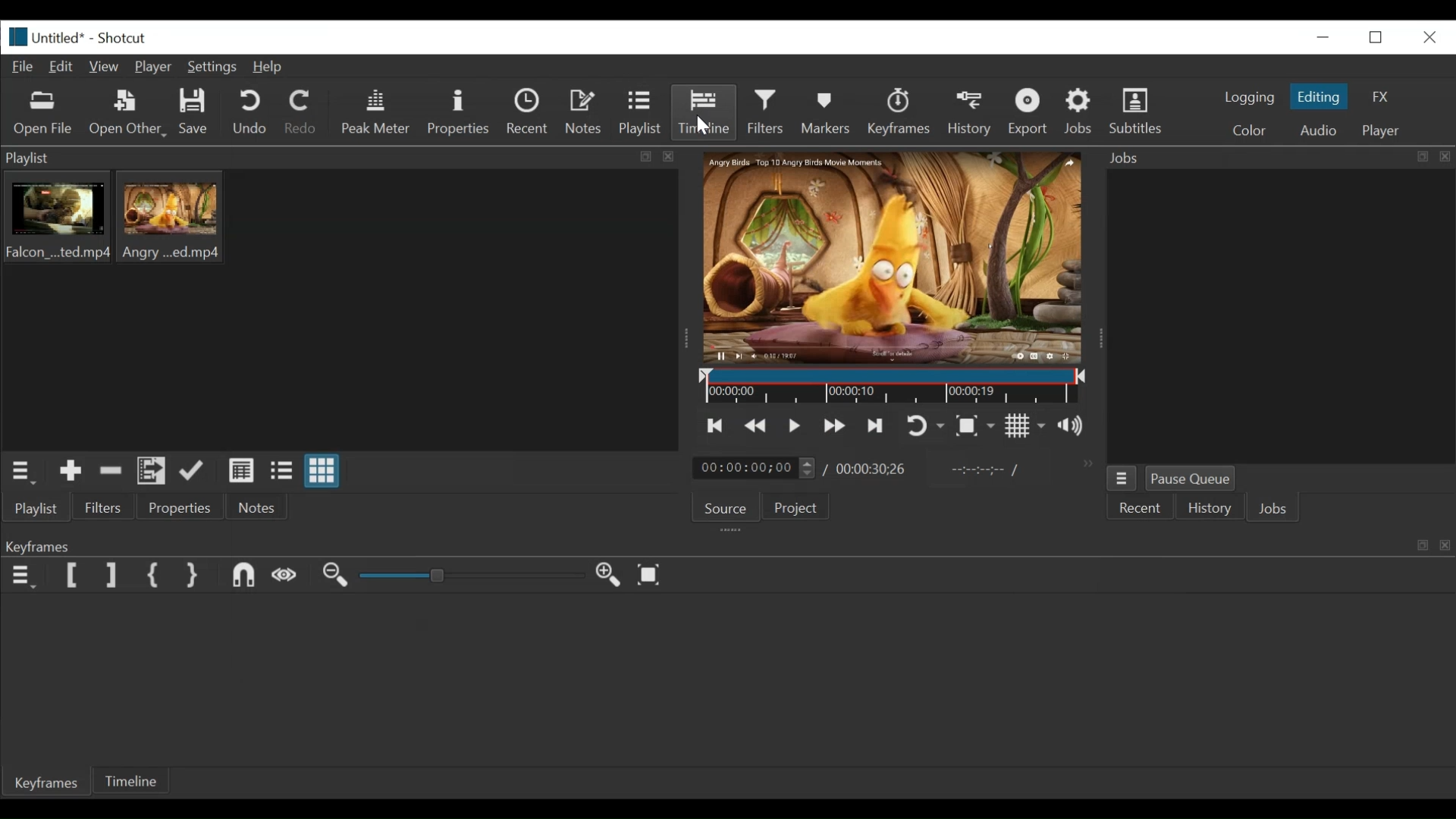 This screenshot has height=819, width=1456. What do you see at coordinates (195, 474) in the screenshot?
I see `update` at bounding box center [195, 474].